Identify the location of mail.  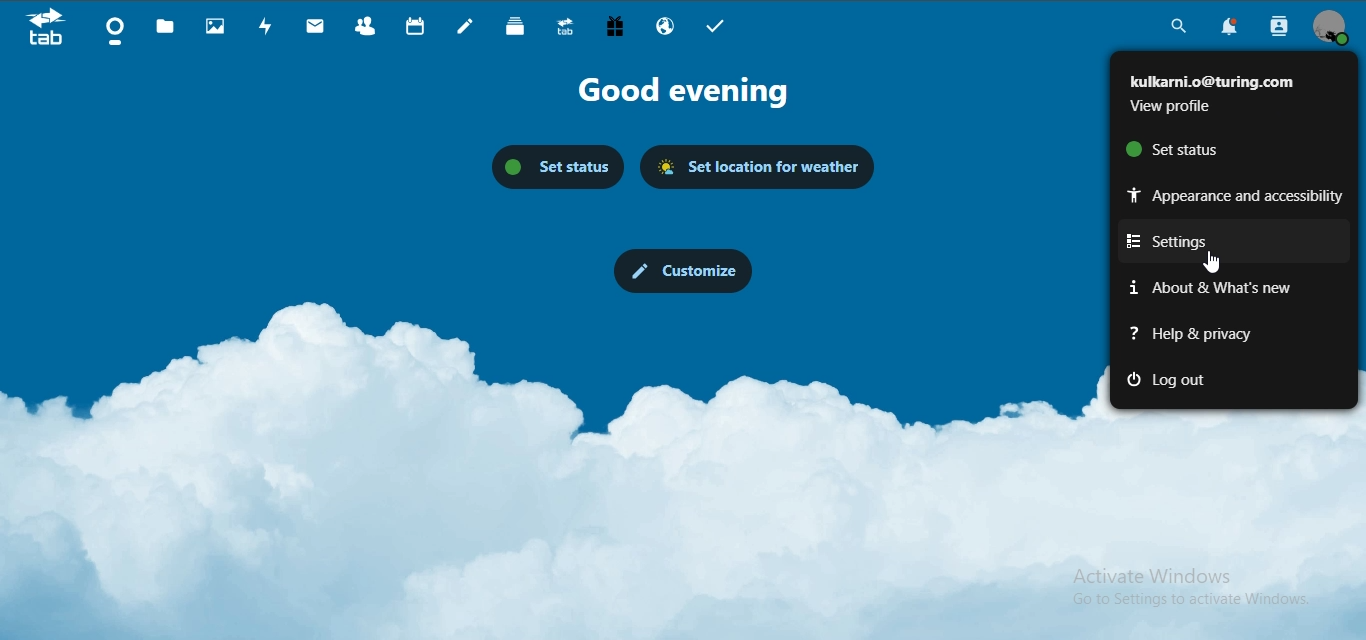
(316, 27).